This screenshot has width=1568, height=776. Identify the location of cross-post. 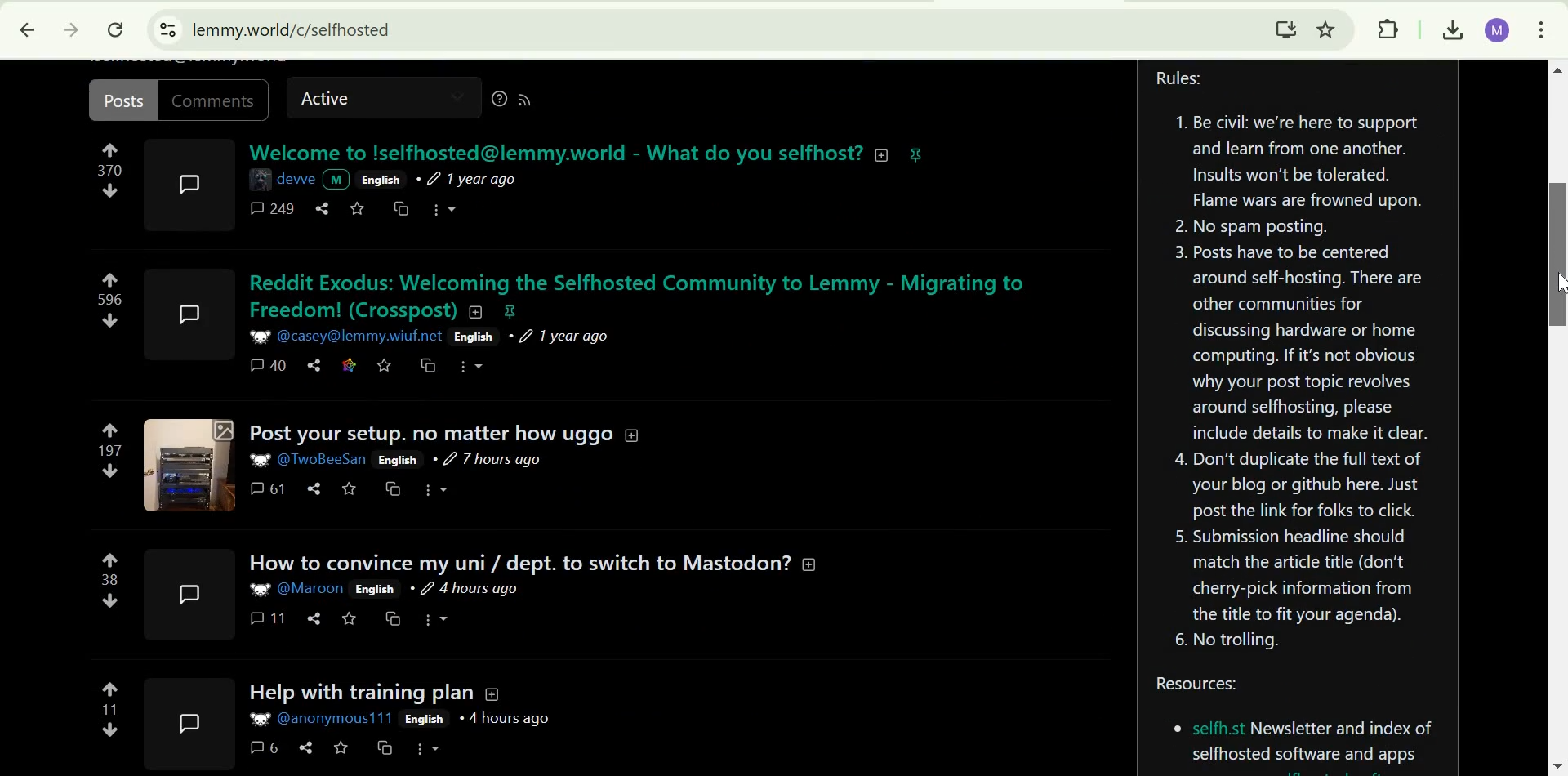
(430, 364).